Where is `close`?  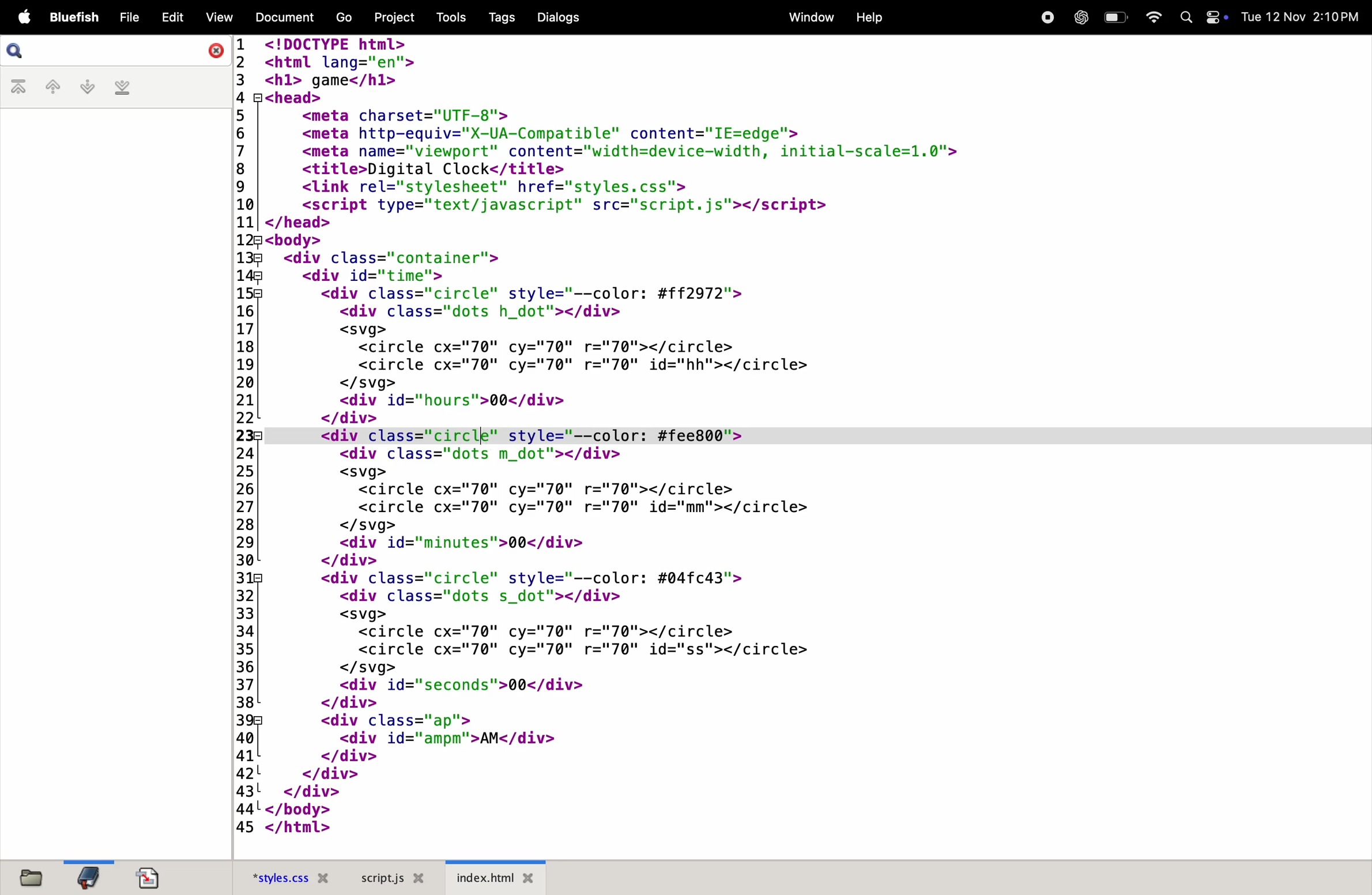 close is located at coordinates (213, 49).